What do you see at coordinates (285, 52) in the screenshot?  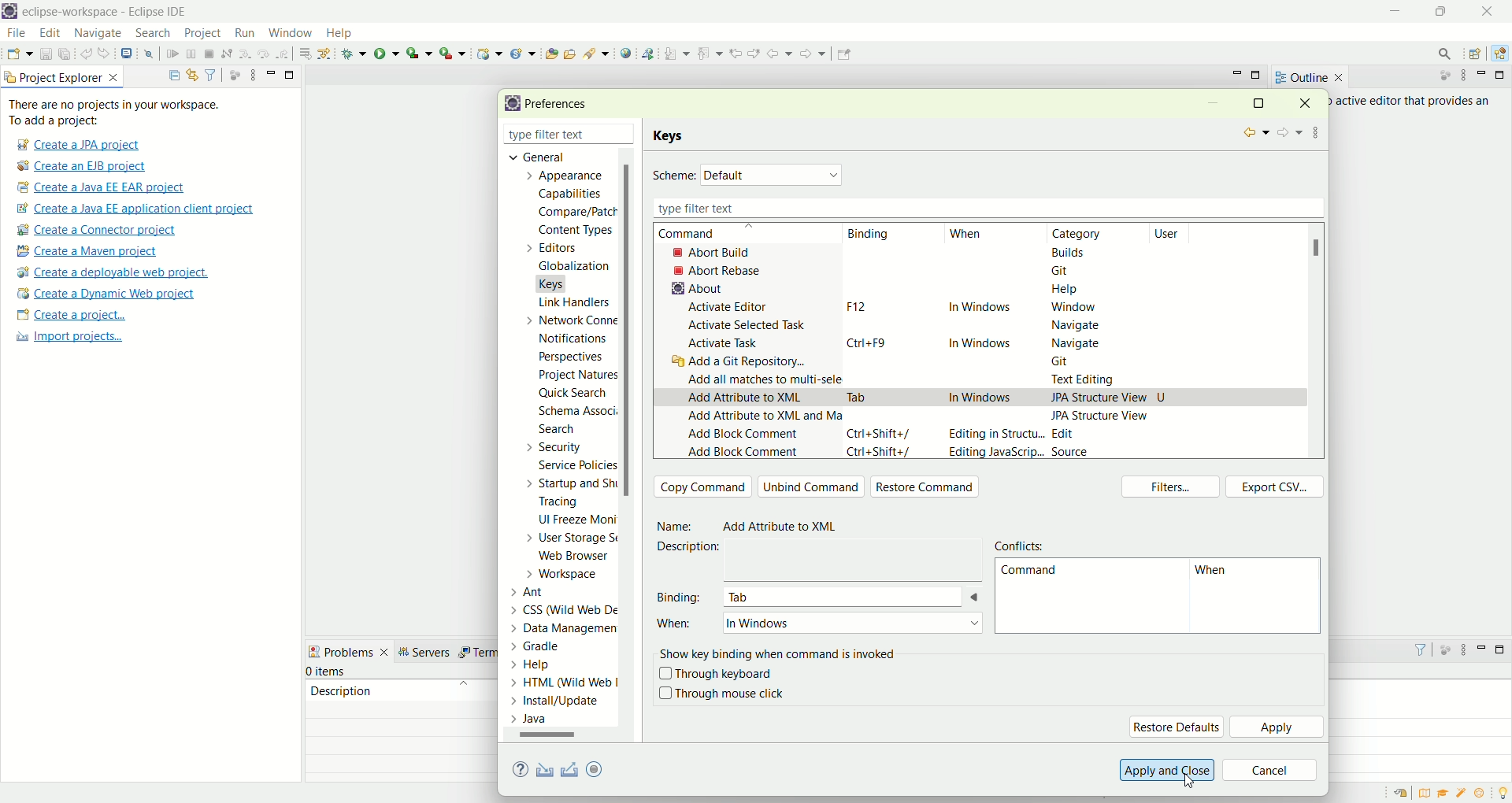 I see `step return` at bounding box center [285, 52].